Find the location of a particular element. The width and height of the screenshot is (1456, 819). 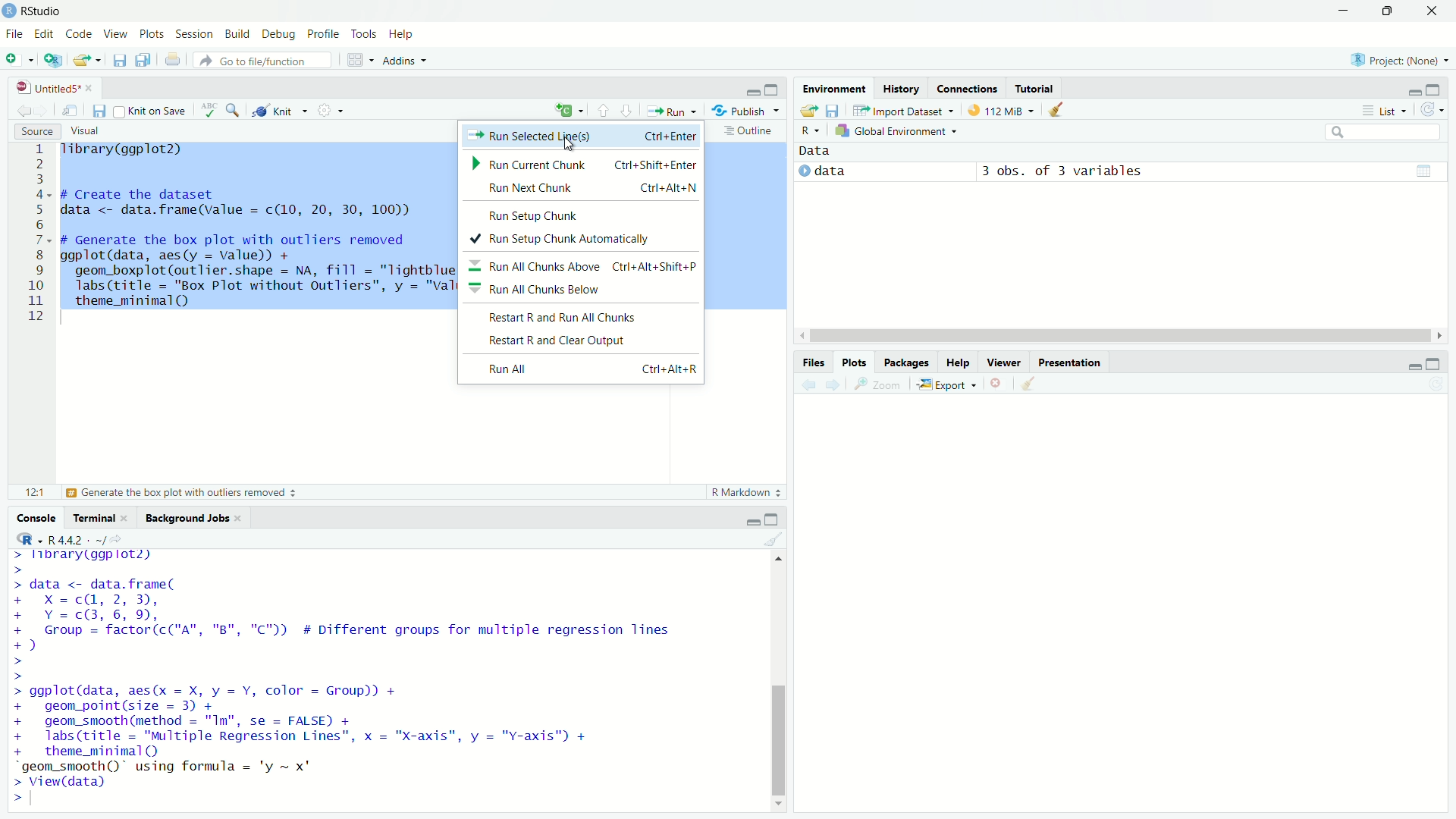

) Go to file/function is located at coordinates (259, 60).